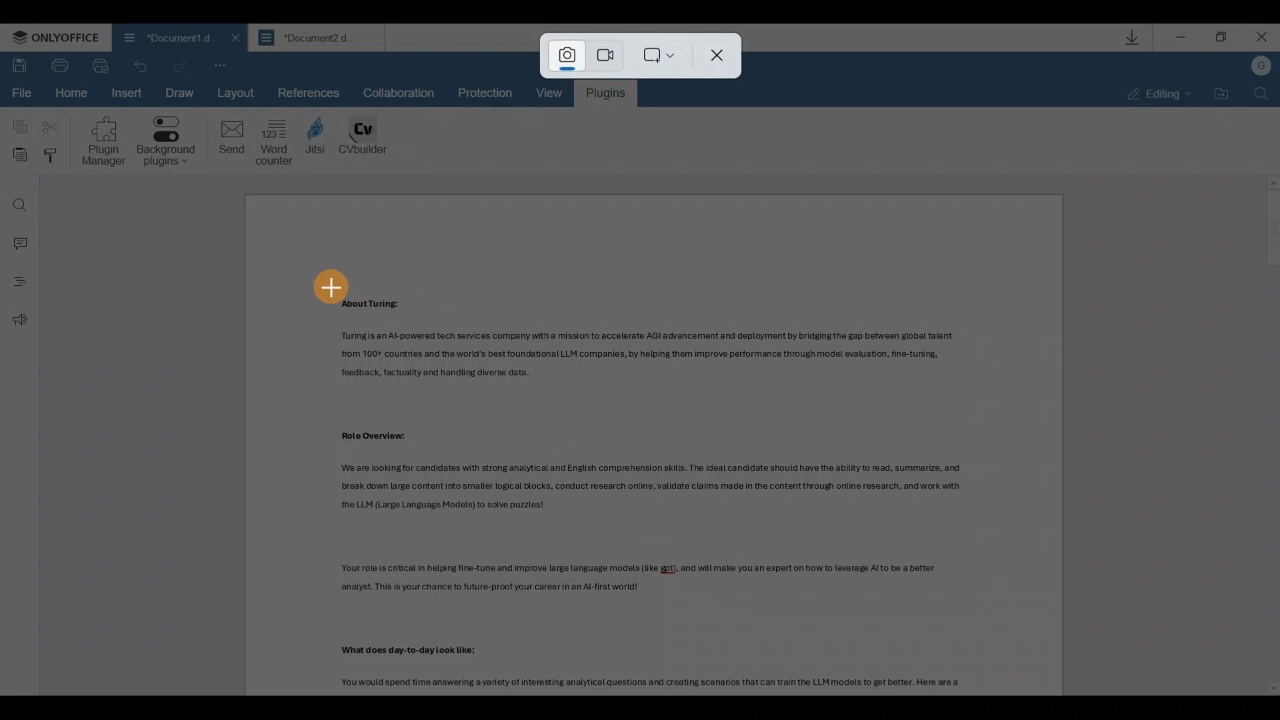  What do you see at coordinates (554, 93) in the screenshot?
I see `View` at bounding box center [554, 93].